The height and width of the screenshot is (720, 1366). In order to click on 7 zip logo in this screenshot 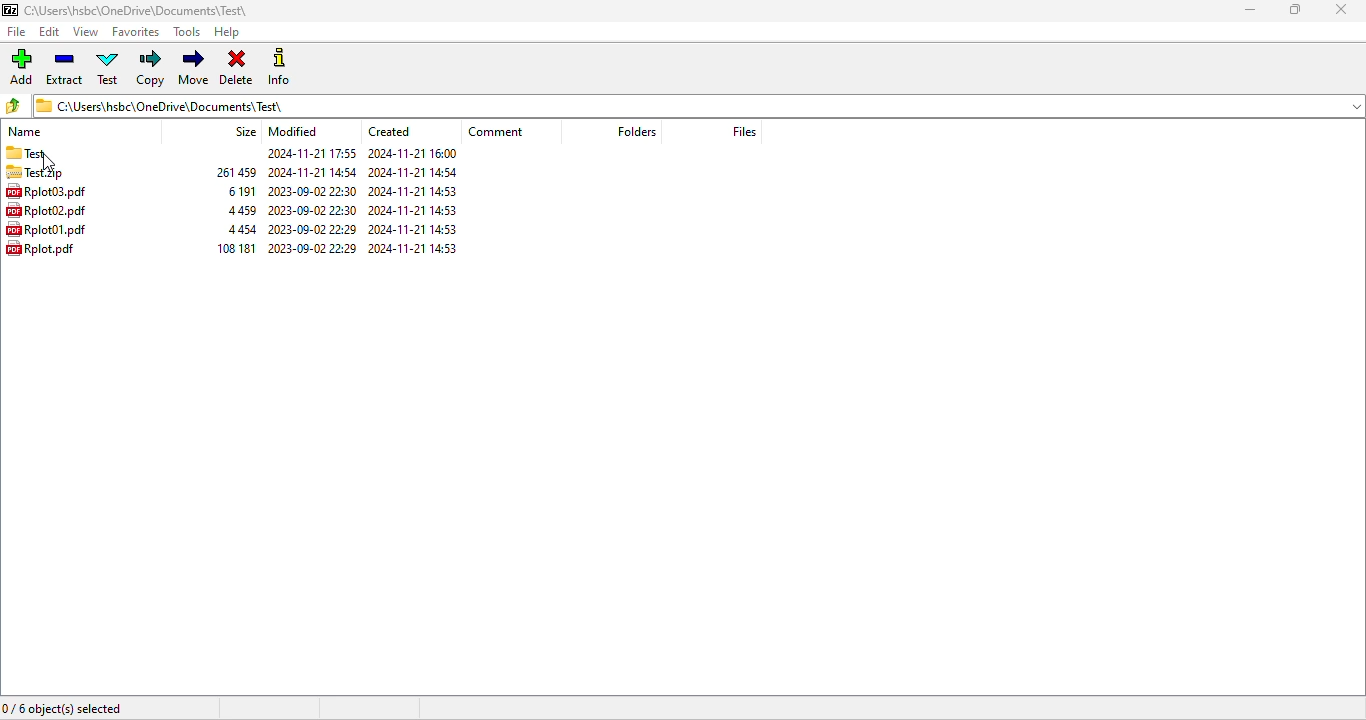, I will do `click(10, 11)`.